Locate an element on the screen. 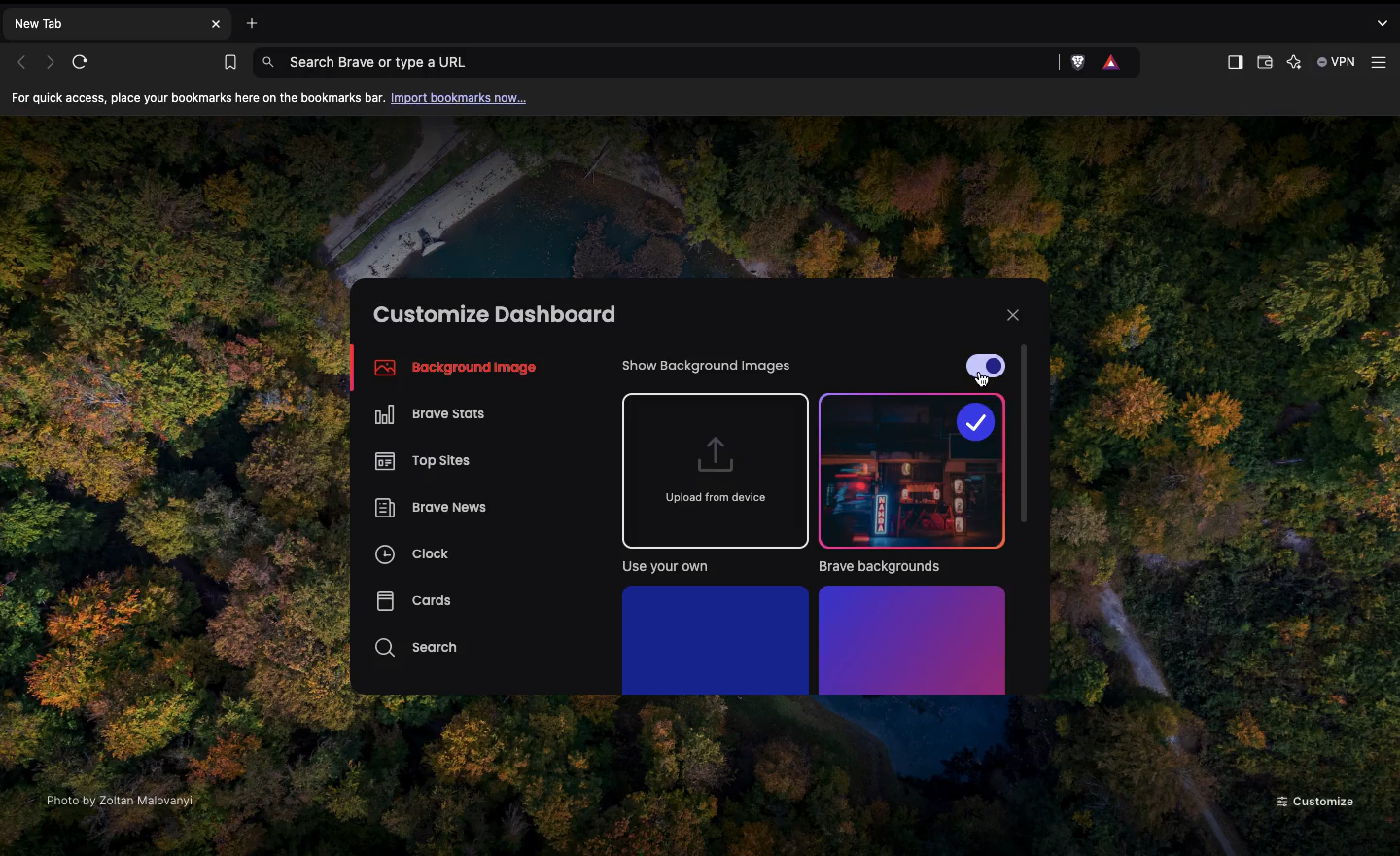 Image resolution: width=1400 pixels, height=856 pixels. For quick access, place your bookmarks here on the bookmarks bar. is located at coordinates (198, 99).